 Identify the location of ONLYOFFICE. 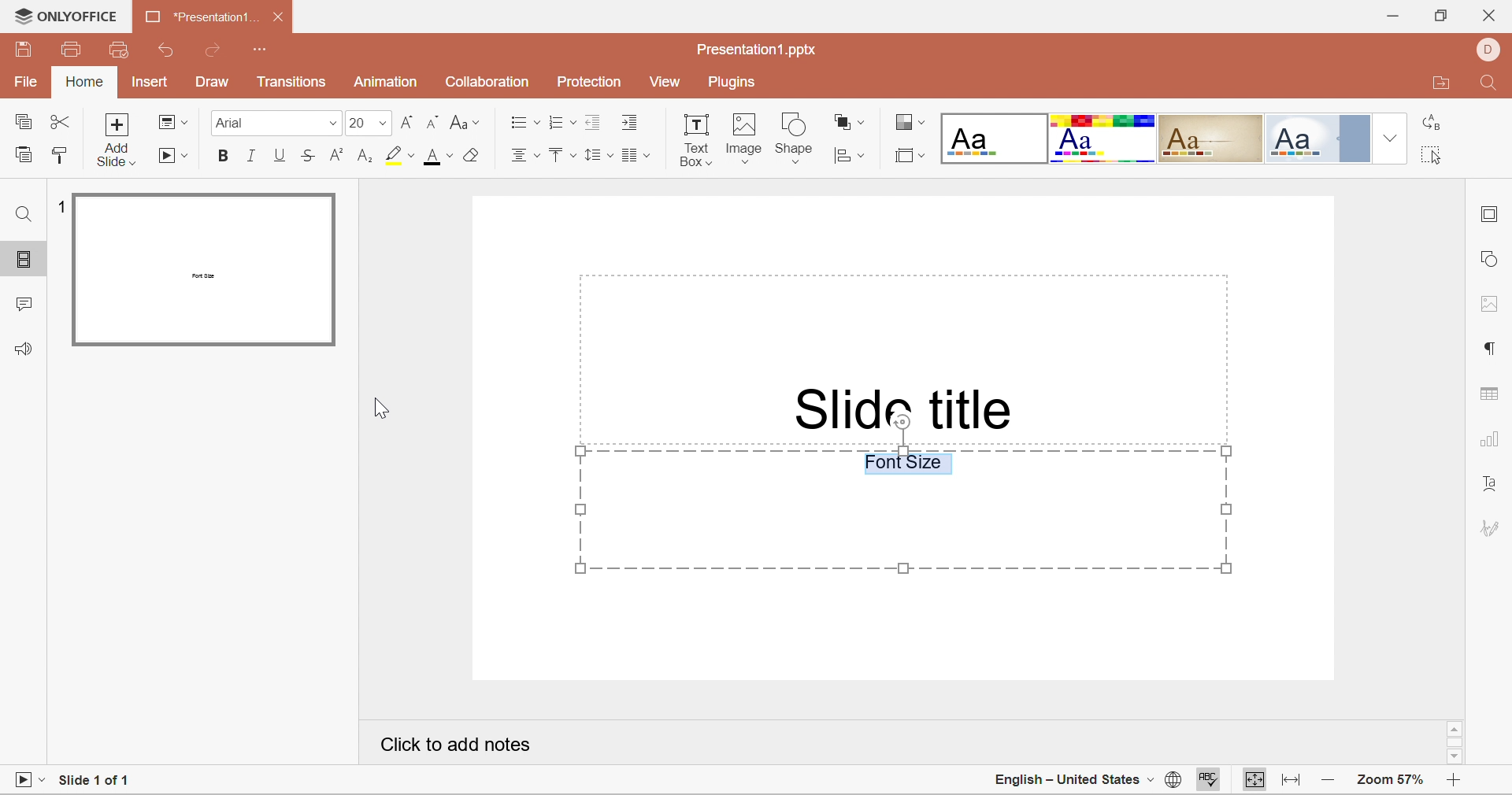
(80, 16).